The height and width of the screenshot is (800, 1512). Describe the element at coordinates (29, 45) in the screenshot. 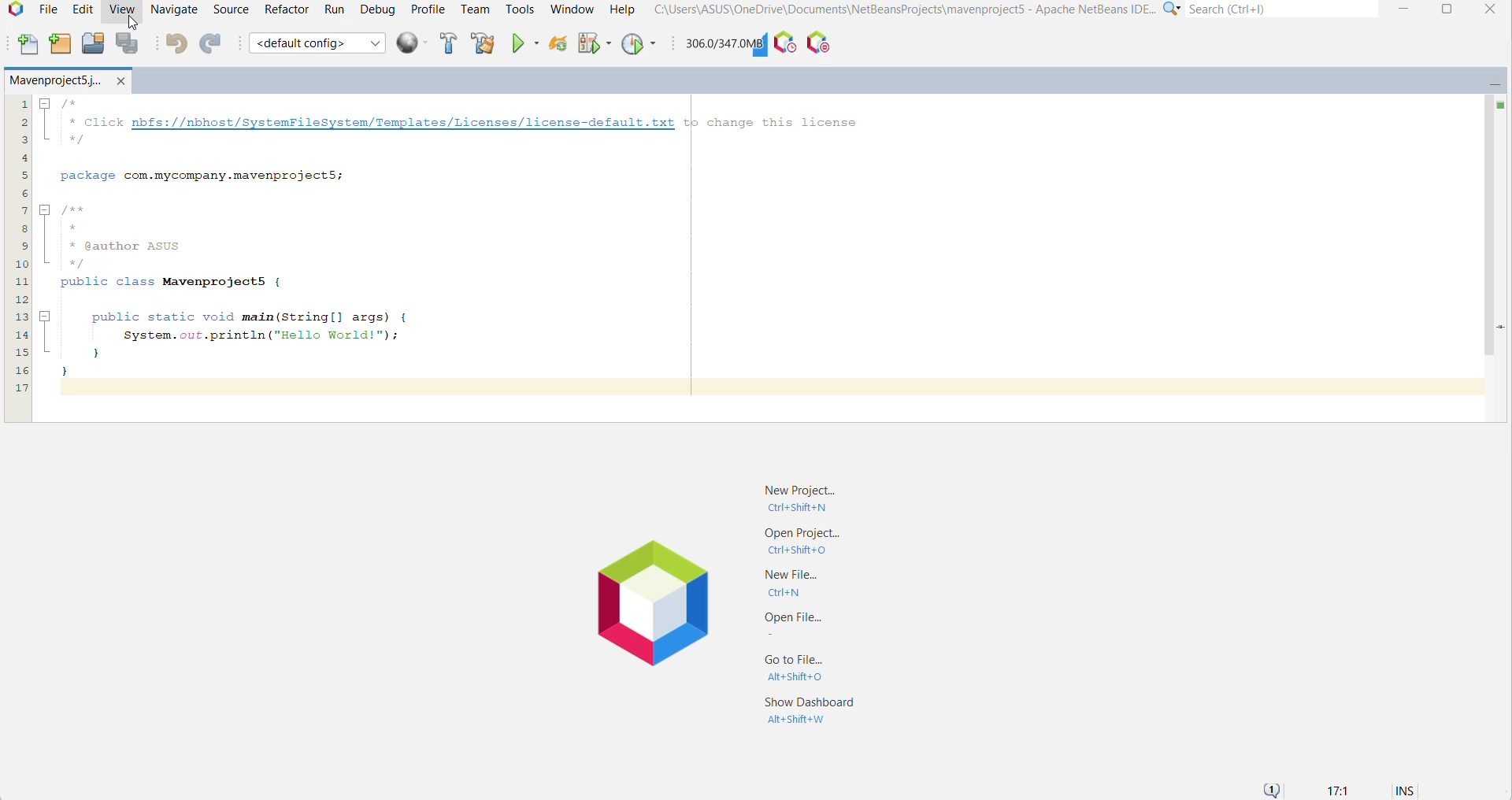

I see `New File` at that location.